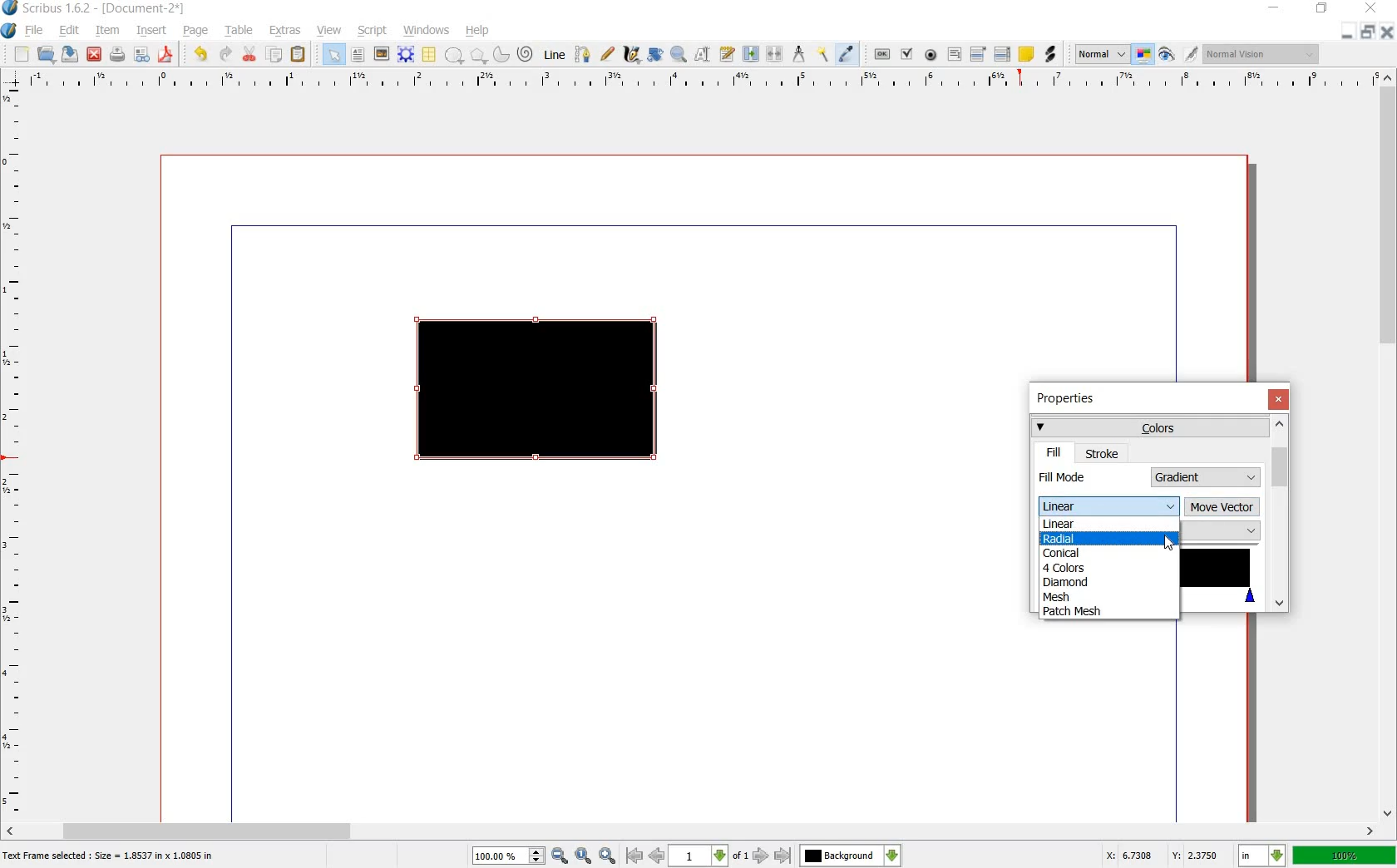 This screenshot has height=868, width=1397. What do you see at coordinates (906, 54) in the screenshot?
I see `pdf check box` at bounding box center [906, 54].